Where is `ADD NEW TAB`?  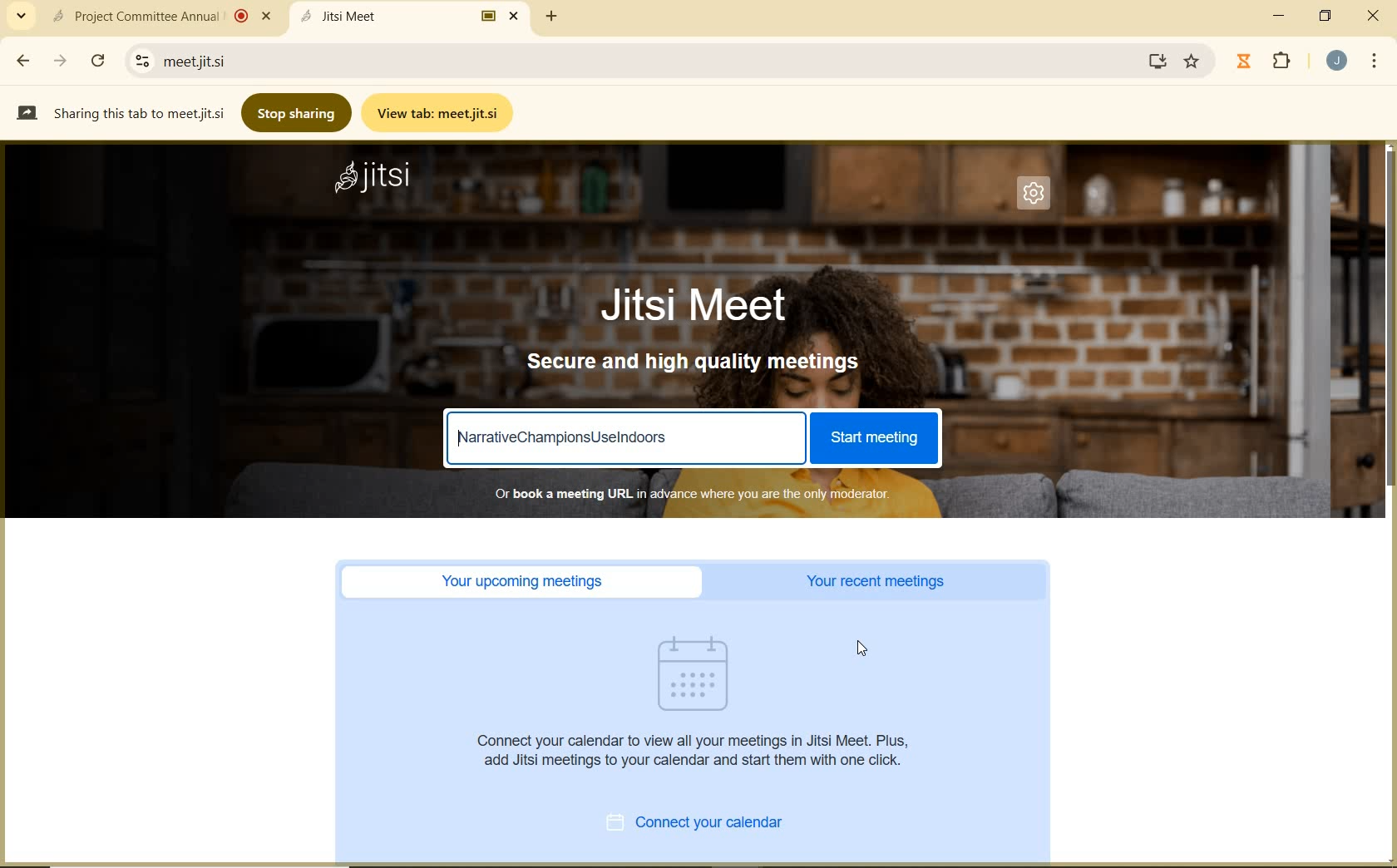
ADD NEW TAB is located at coordinates (552, 16).